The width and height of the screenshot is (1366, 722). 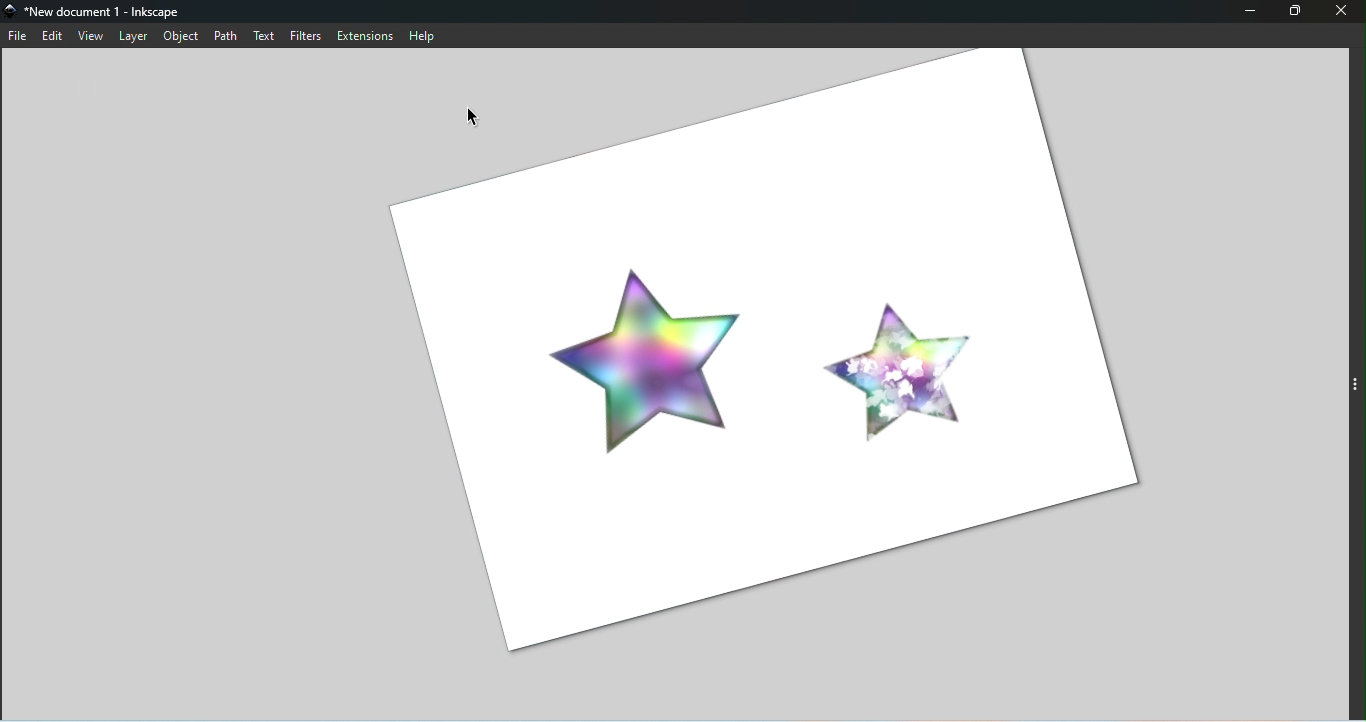 What do you see at coordinates (265, 35) in the screenshot?
I see `Text` at bounding box center [265, 35].